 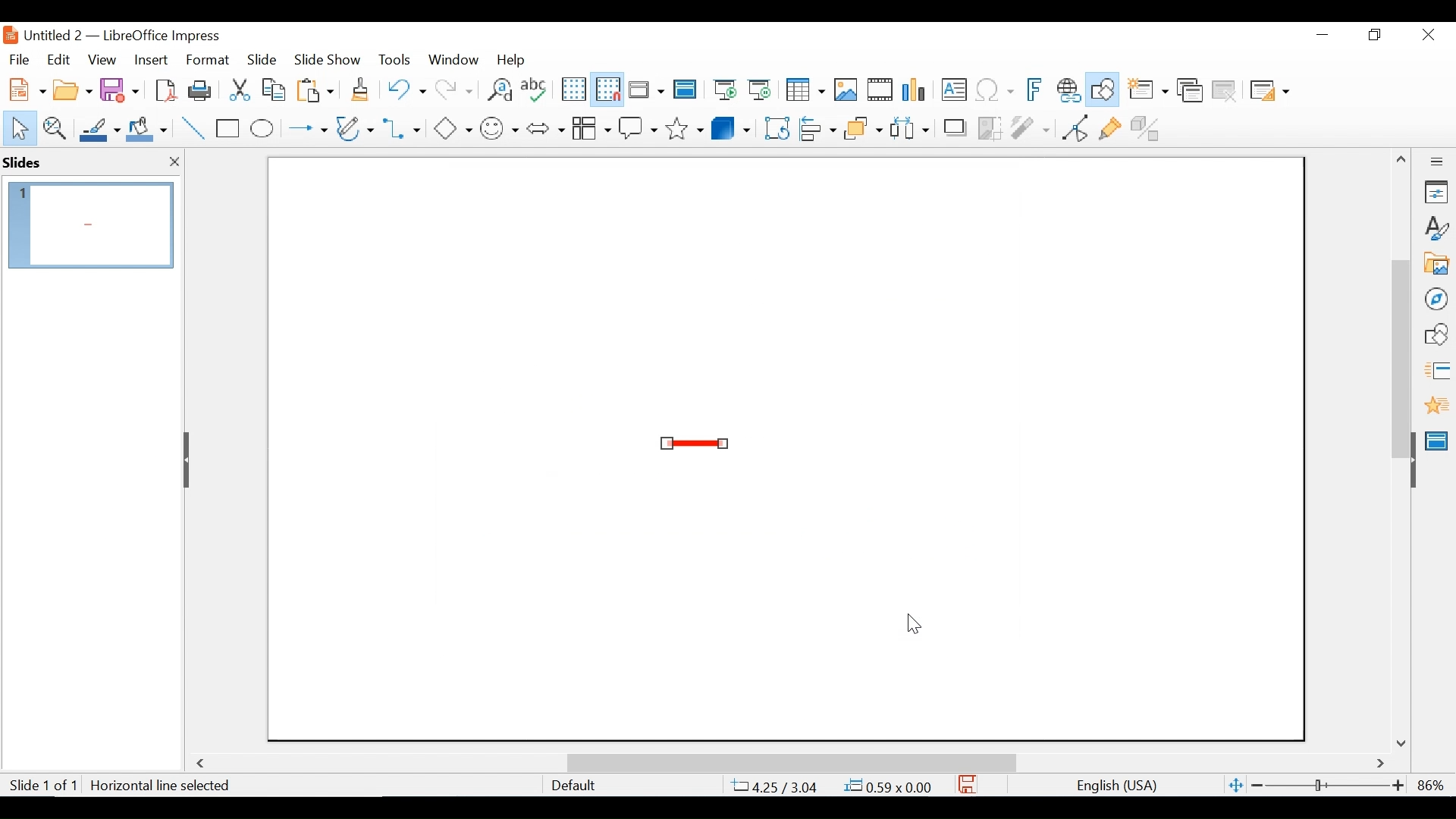 I want to click on Callout, so click(x=638, y=127).